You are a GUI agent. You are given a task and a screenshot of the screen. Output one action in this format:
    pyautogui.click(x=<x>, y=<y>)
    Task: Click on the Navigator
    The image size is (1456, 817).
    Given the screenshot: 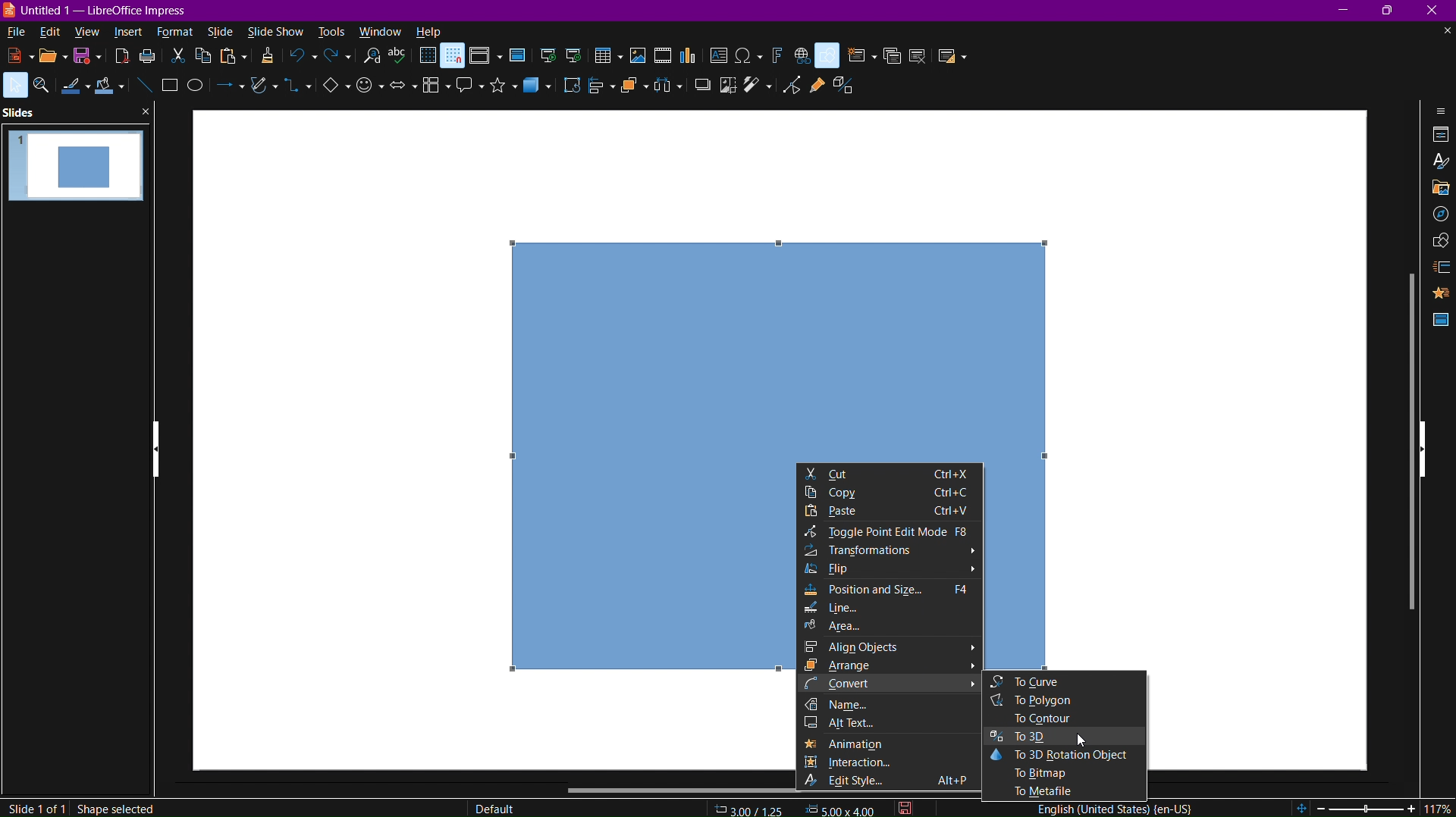 What is the action you would take?
    pyautogui.click(x=1437, y=218)
    